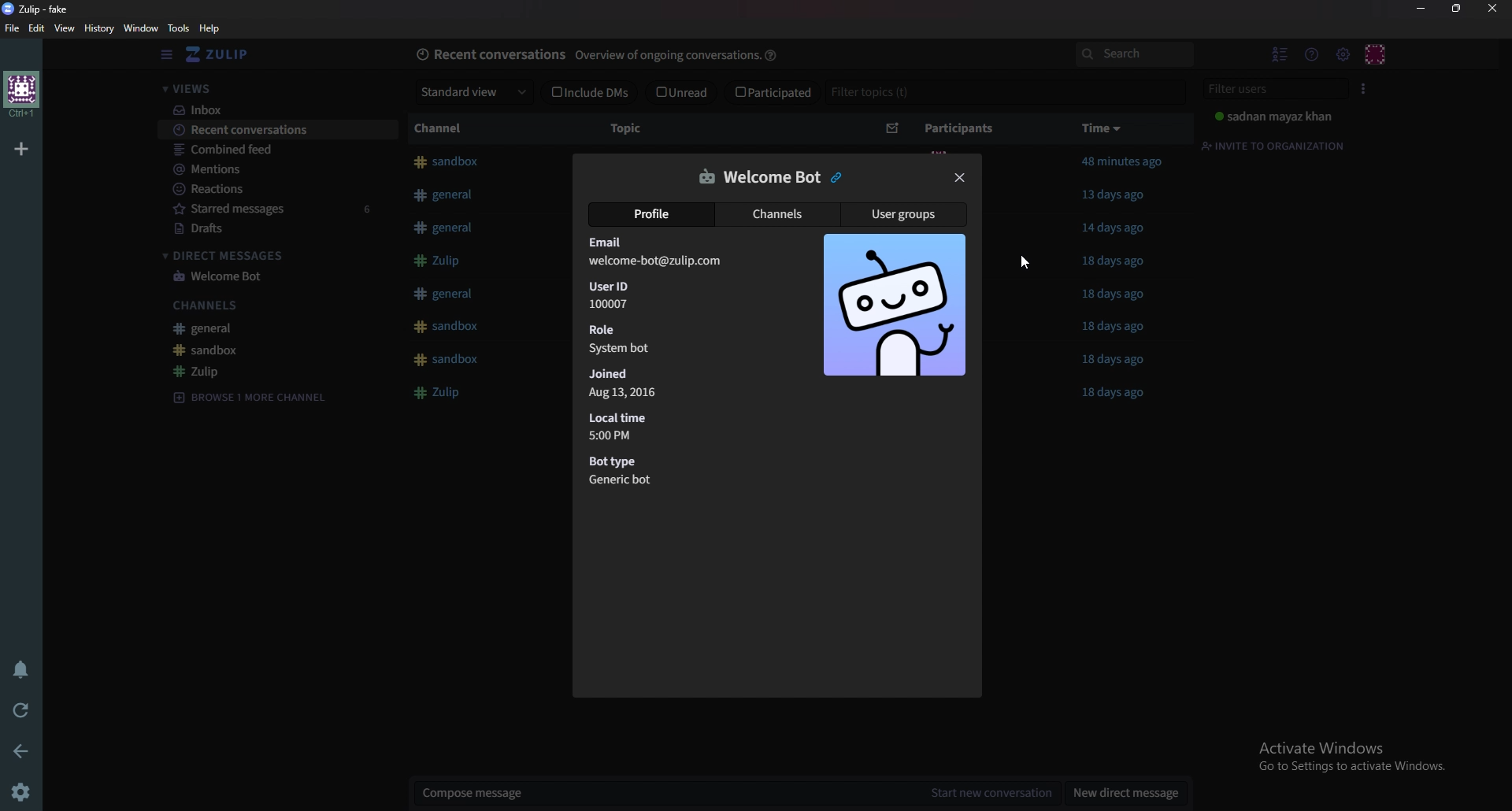 This screenshot has height=811, width=1512. I want to click on main menu, so click(1343, 51).